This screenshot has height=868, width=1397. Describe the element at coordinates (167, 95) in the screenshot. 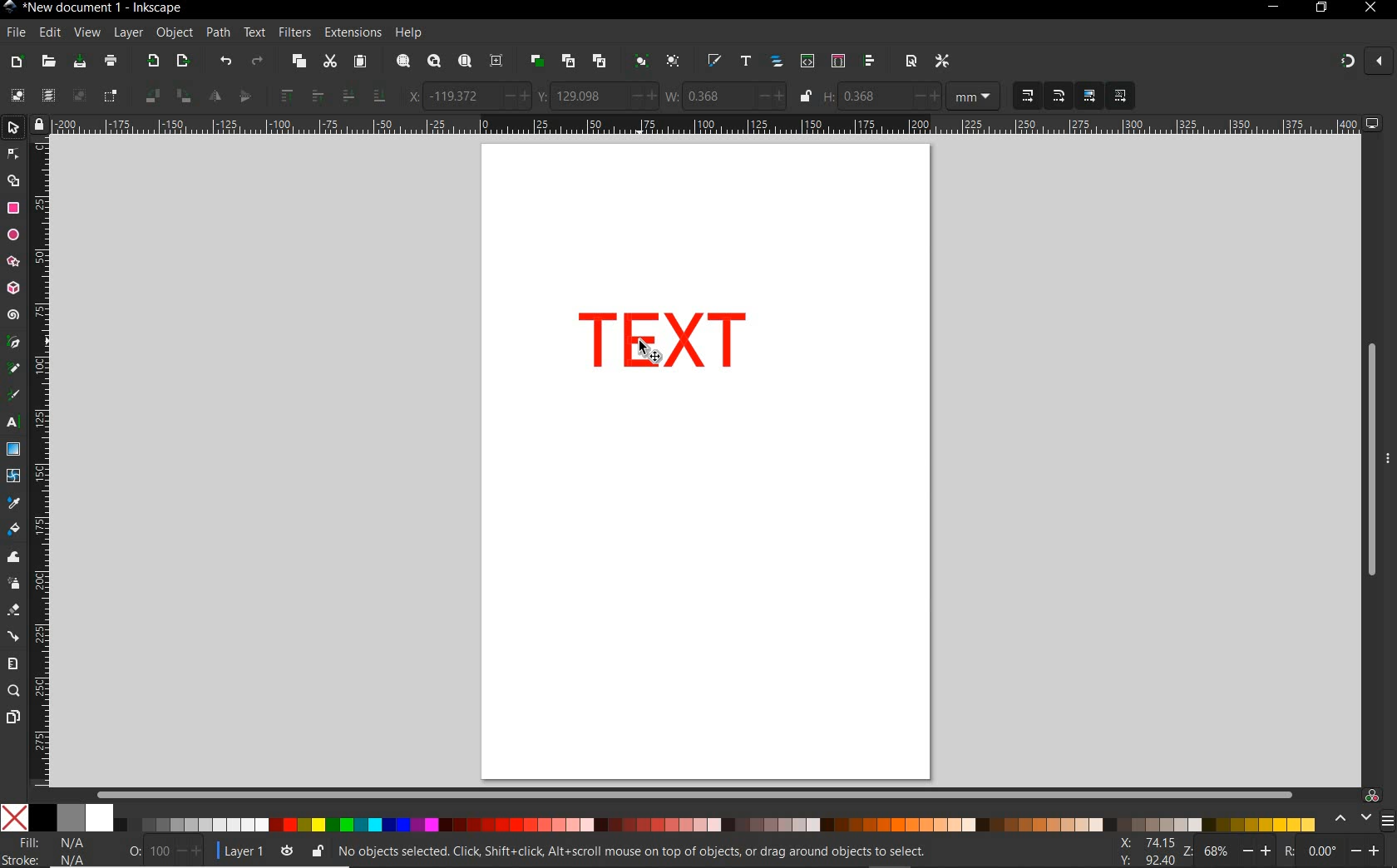

I see `OBJECT ROTATE` at that location.